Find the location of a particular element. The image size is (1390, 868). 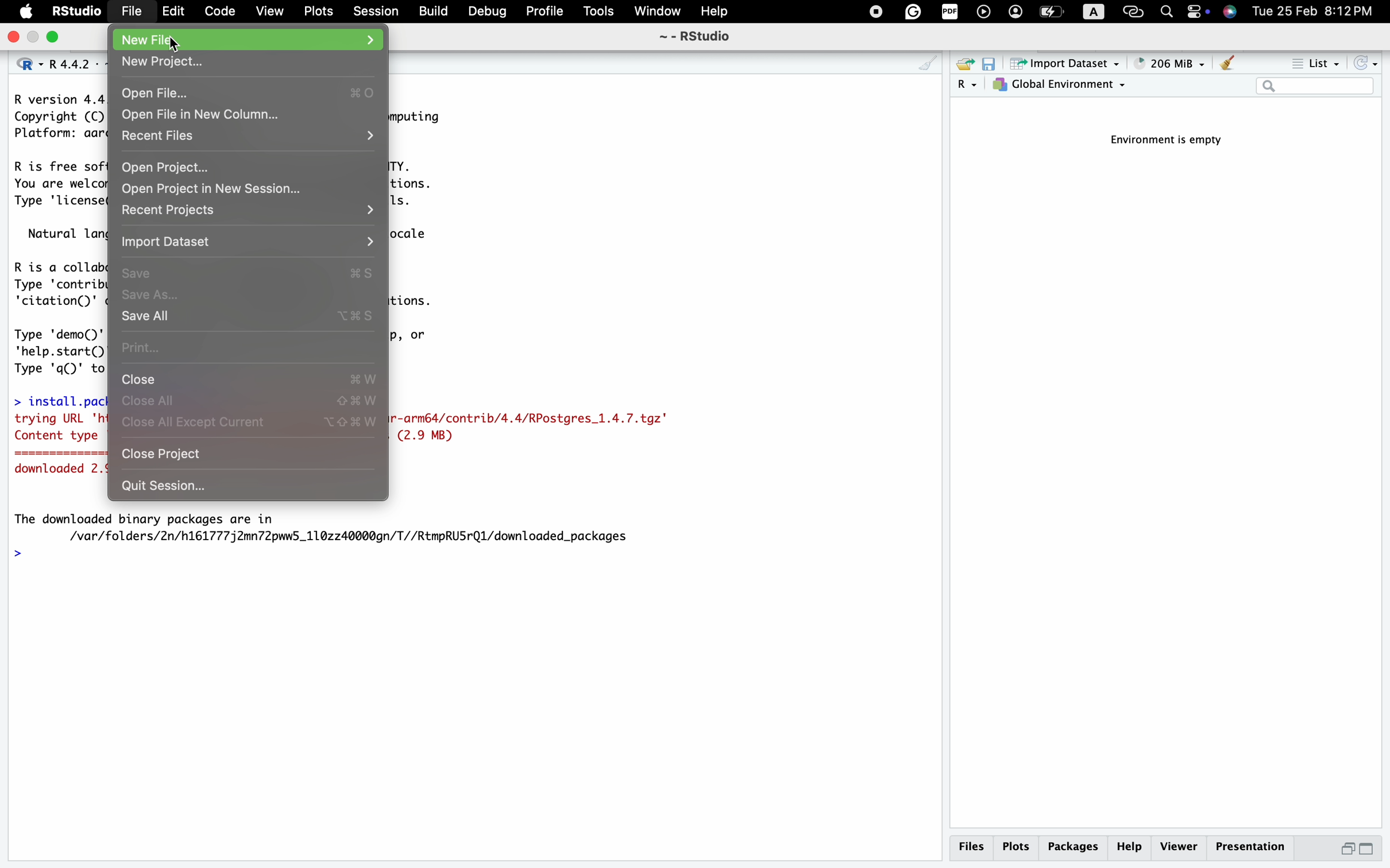

save workspace as is located at coordinates (993, 65).